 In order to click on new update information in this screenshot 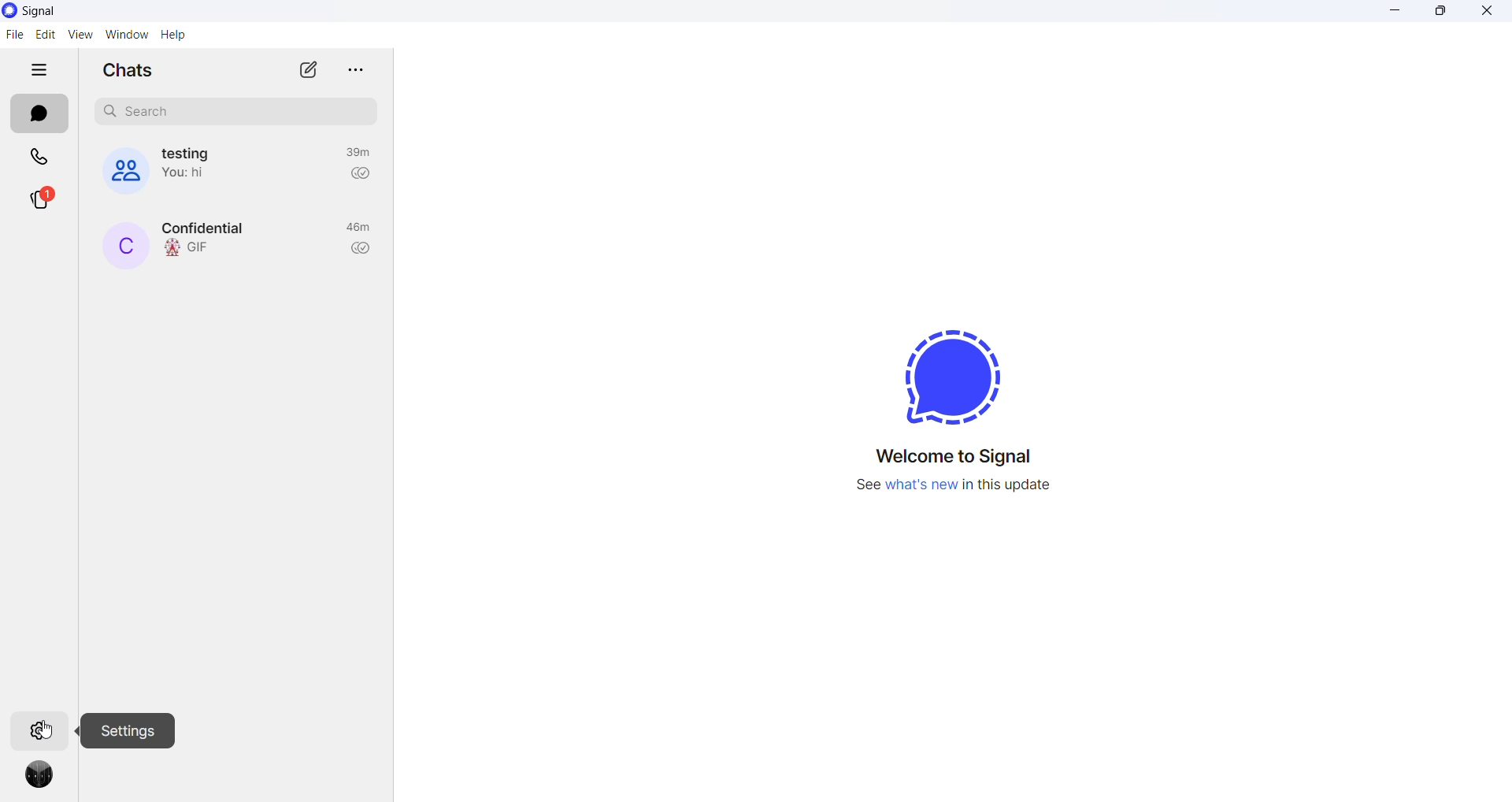, I will do `click(951, 488)`.